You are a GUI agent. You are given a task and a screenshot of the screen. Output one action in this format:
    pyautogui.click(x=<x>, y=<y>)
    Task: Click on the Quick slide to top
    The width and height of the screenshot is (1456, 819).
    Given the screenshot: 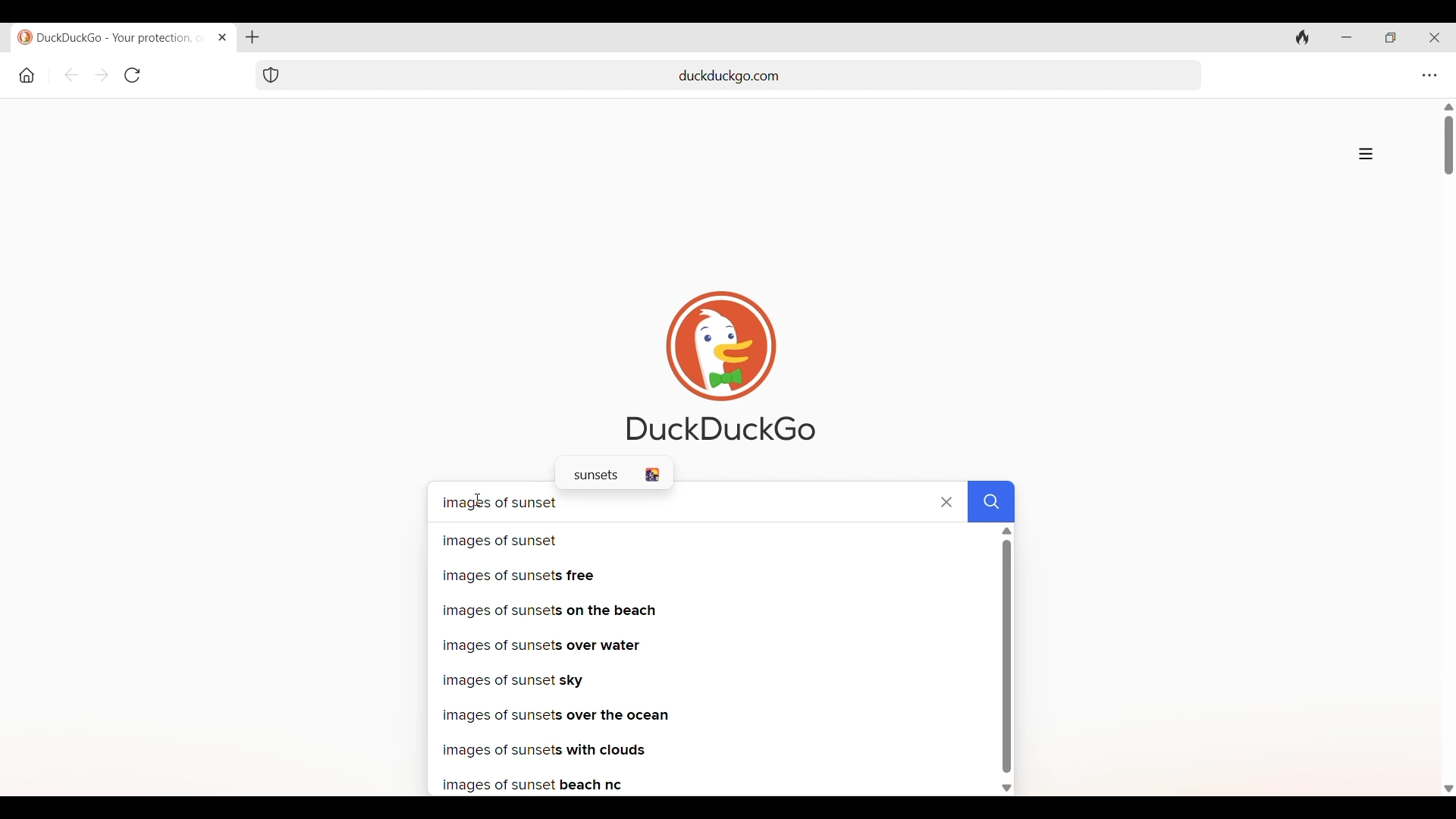 What is the action you would take?
    pyautogui.click(x=1448, y=107)
    